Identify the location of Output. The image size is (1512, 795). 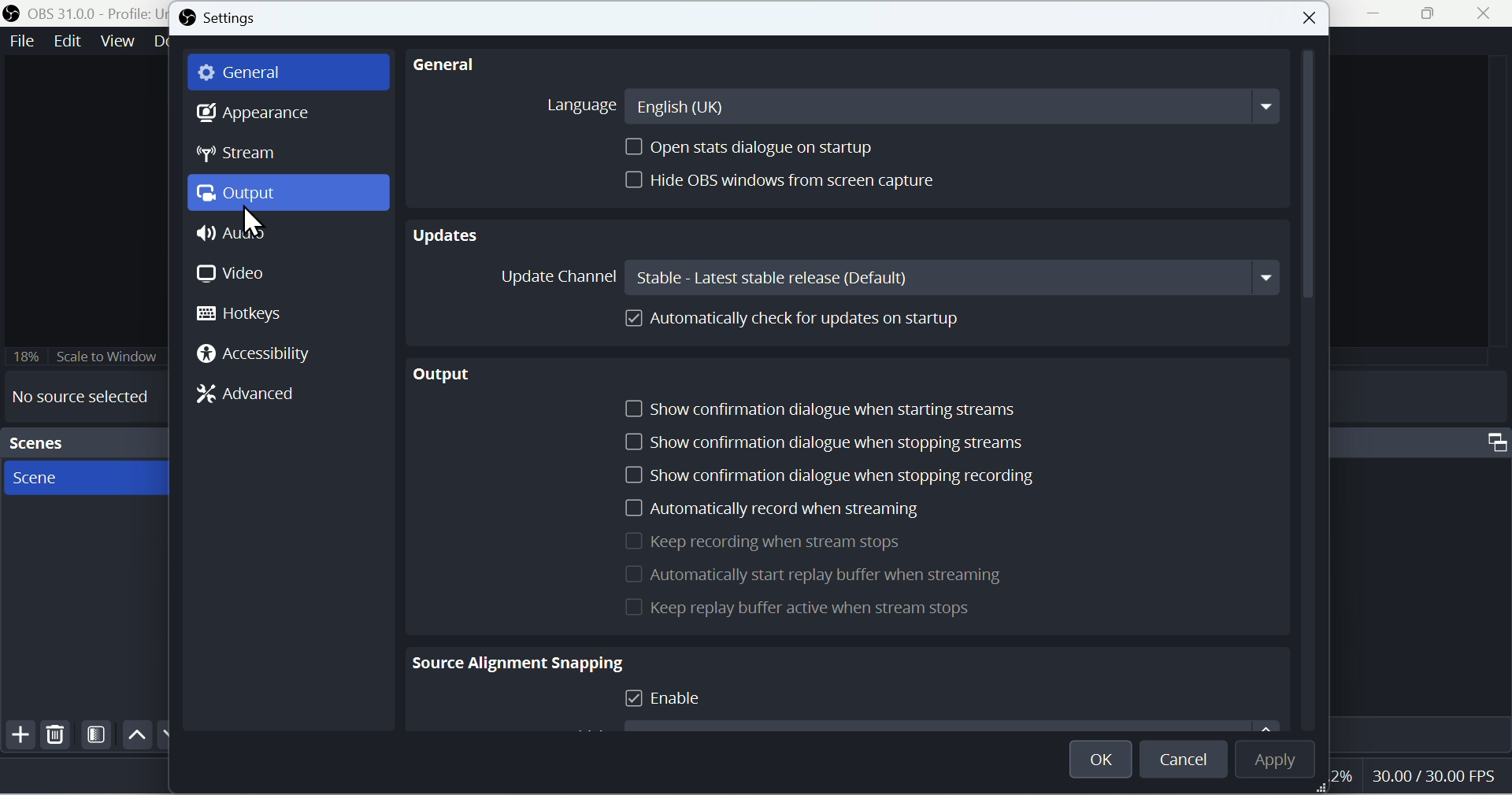
(284, 193).